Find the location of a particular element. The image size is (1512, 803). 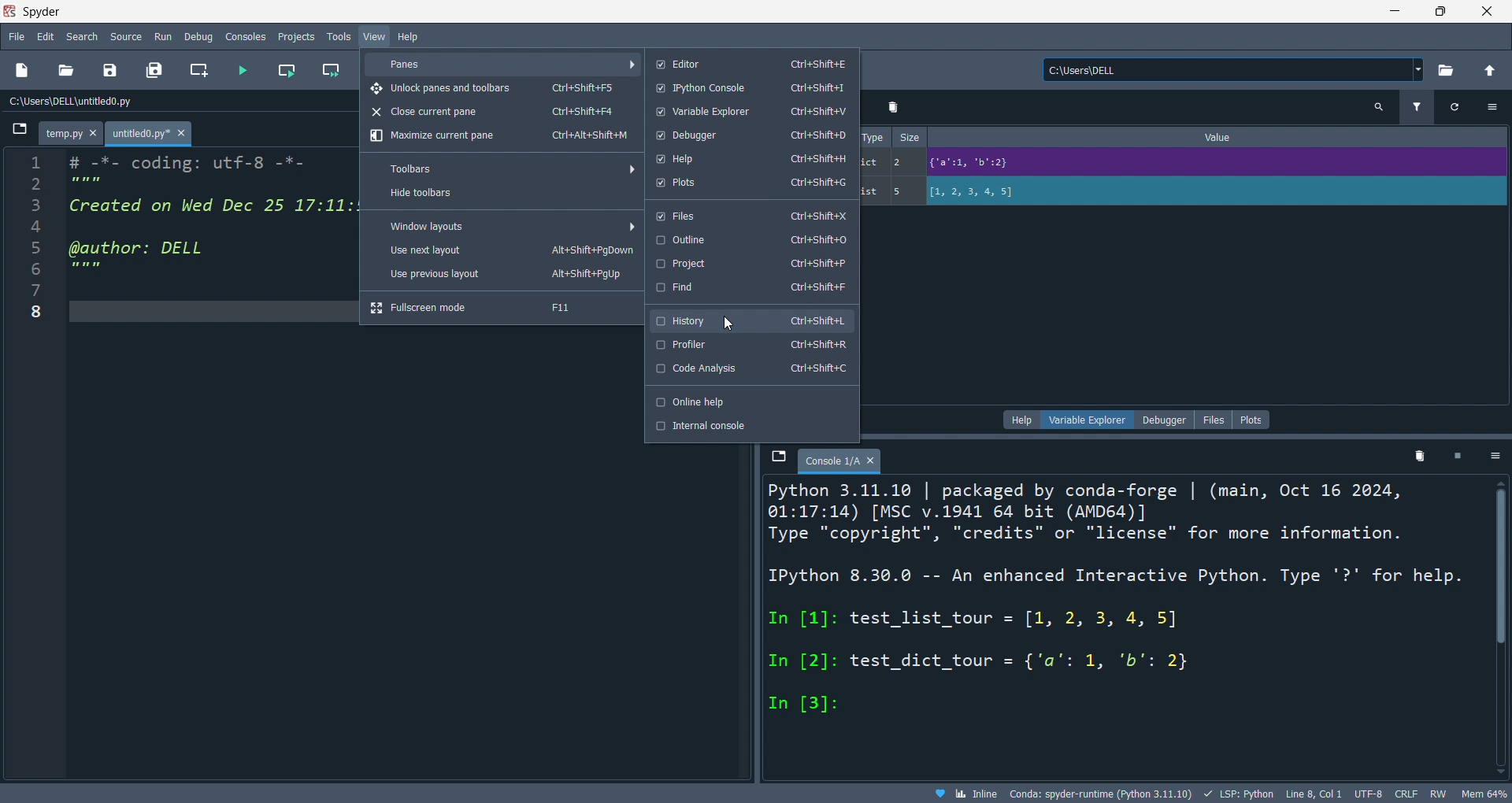

plots is located at coordinates (1252, 420).